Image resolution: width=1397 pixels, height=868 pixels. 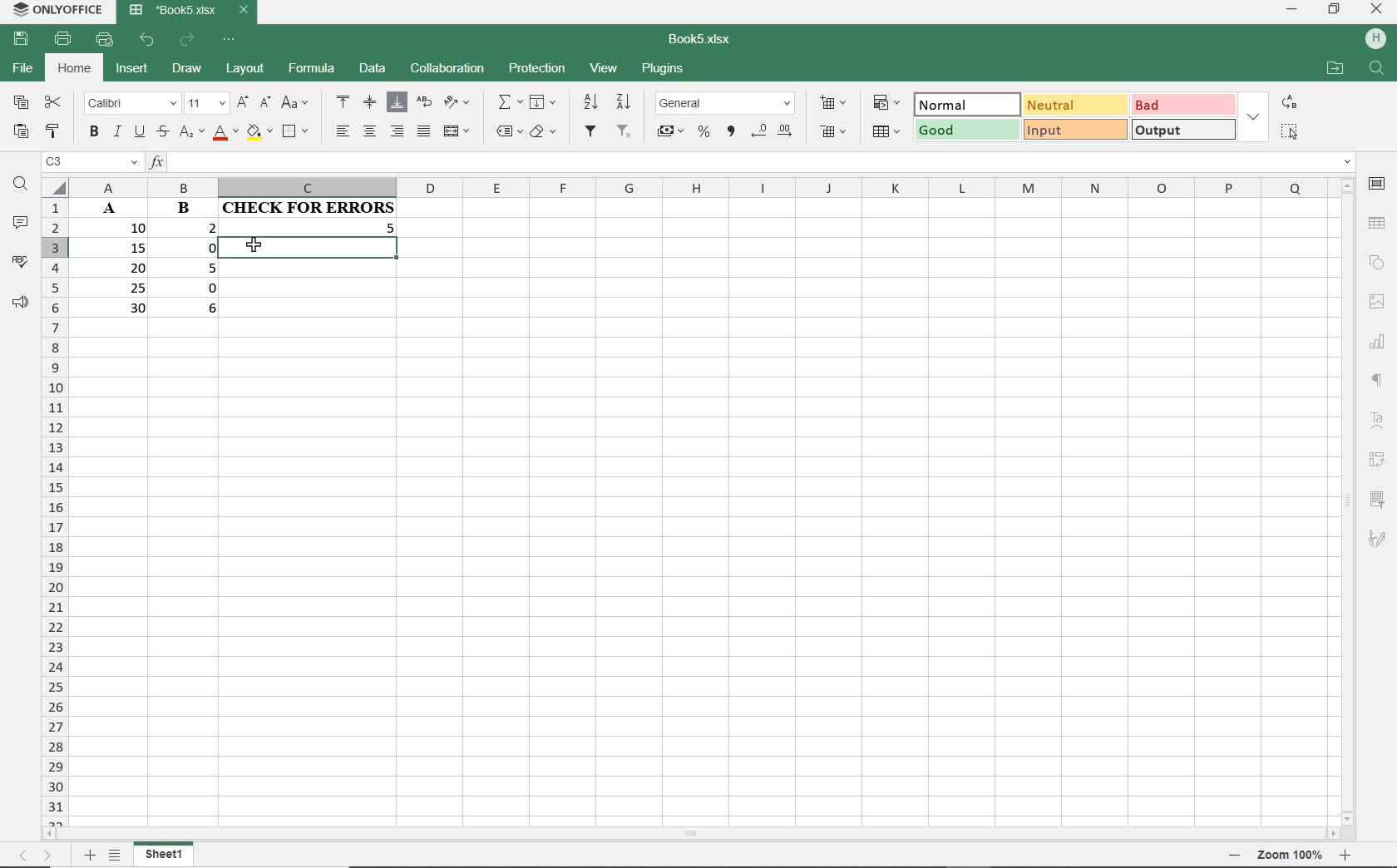 I want to click on ALIGN BOTTOM, so click(x=397, y=103).